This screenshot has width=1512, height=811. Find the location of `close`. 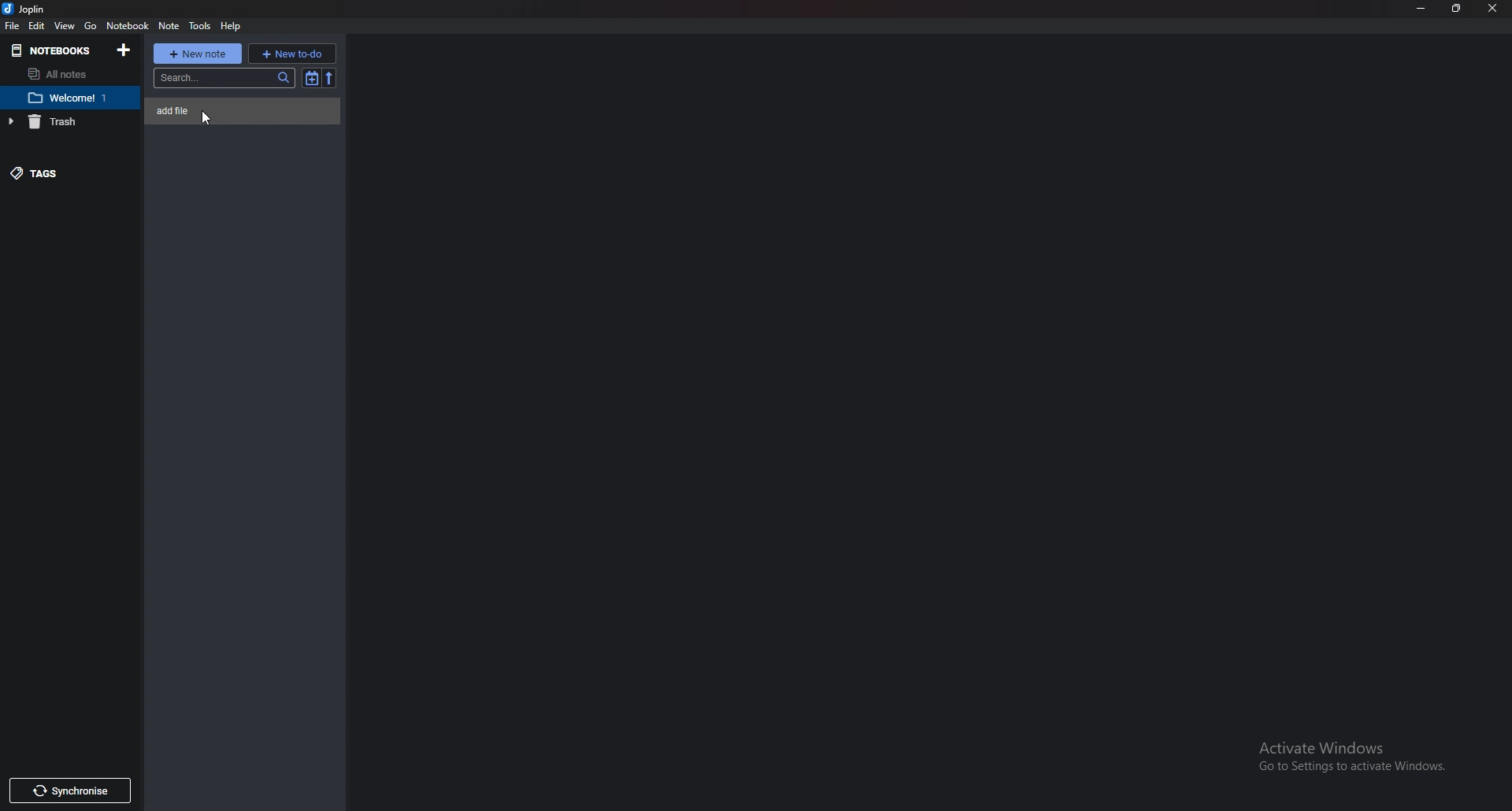

close is located at coordinates (1495, 8).